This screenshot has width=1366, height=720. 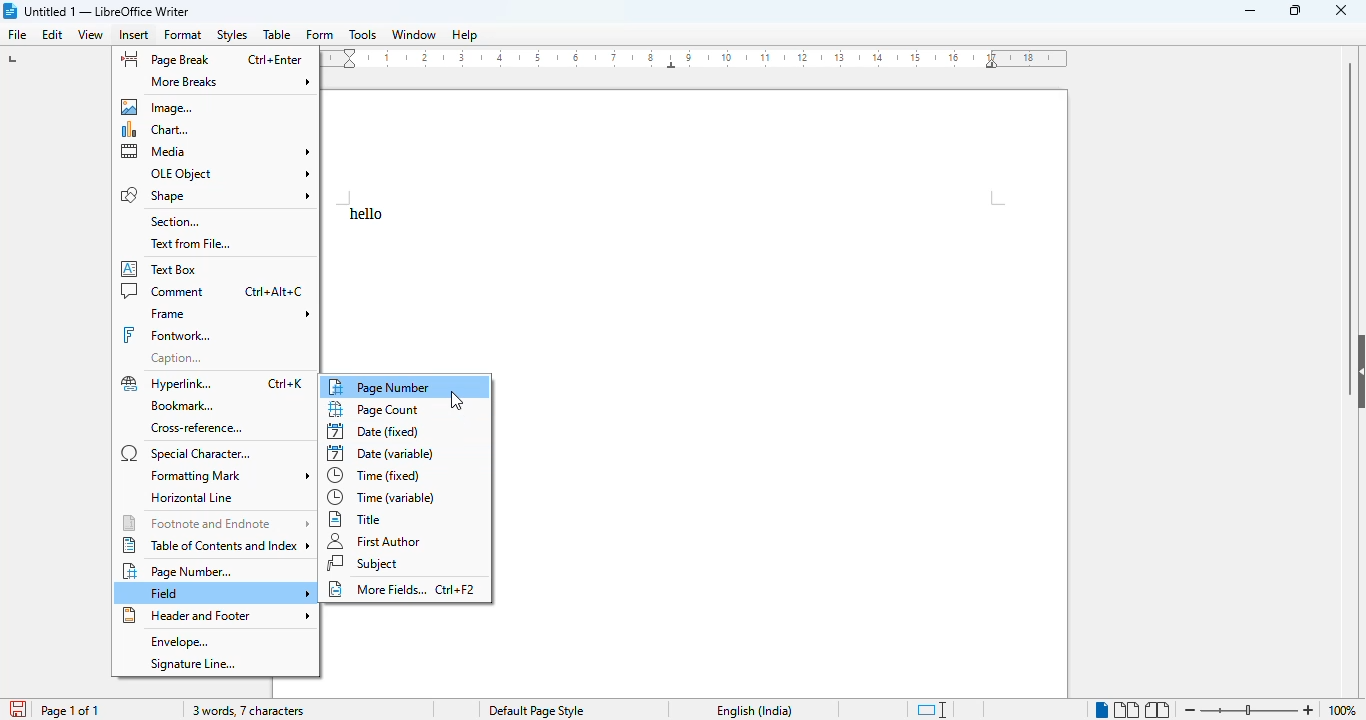 I want to click on 100%, so click(x=1341, y=712).